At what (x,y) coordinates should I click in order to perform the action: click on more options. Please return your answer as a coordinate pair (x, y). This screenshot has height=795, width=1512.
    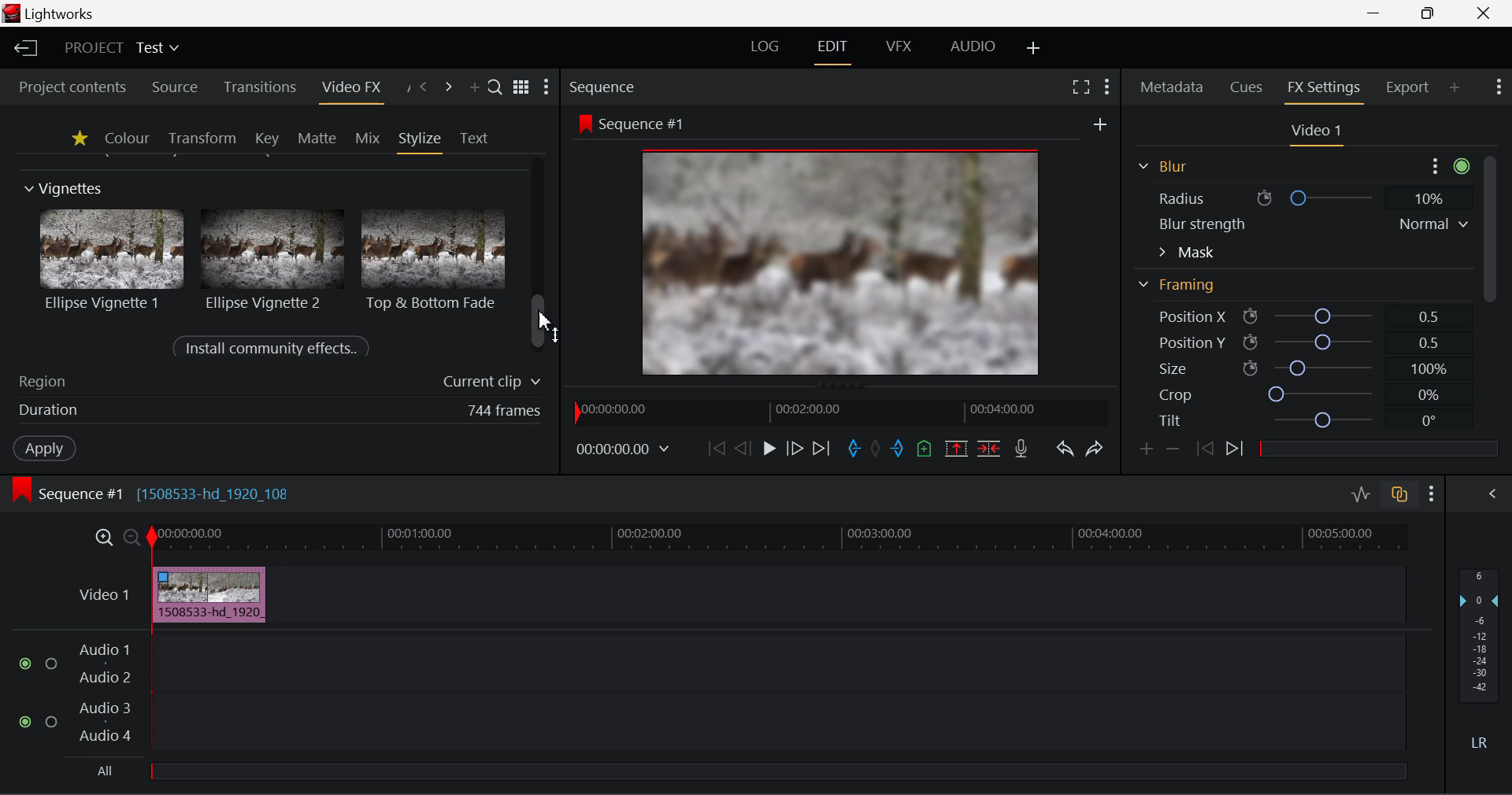
    Looking at the image, I should click on (1446, 164).